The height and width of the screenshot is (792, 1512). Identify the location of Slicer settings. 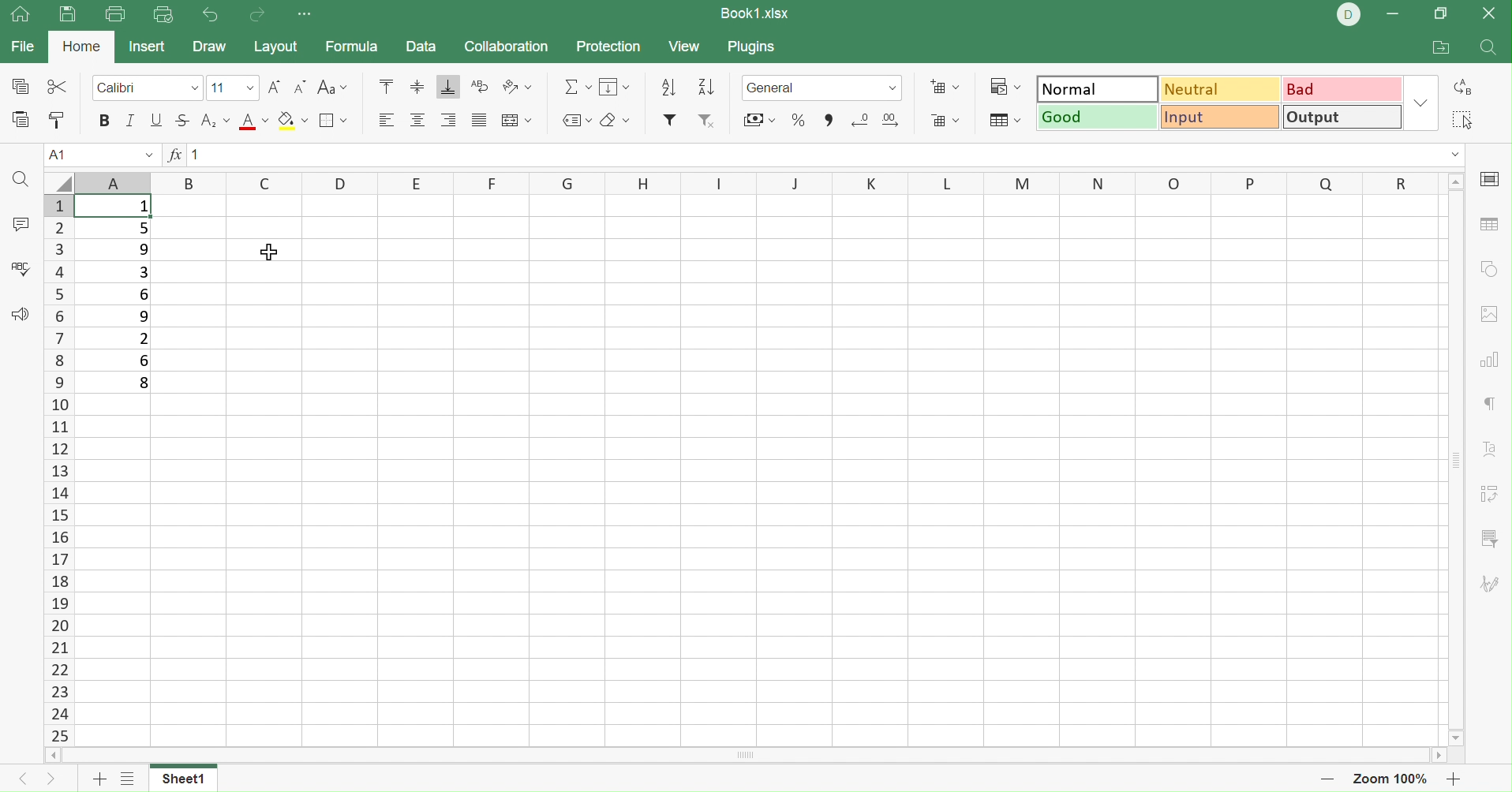
(1494, 537).